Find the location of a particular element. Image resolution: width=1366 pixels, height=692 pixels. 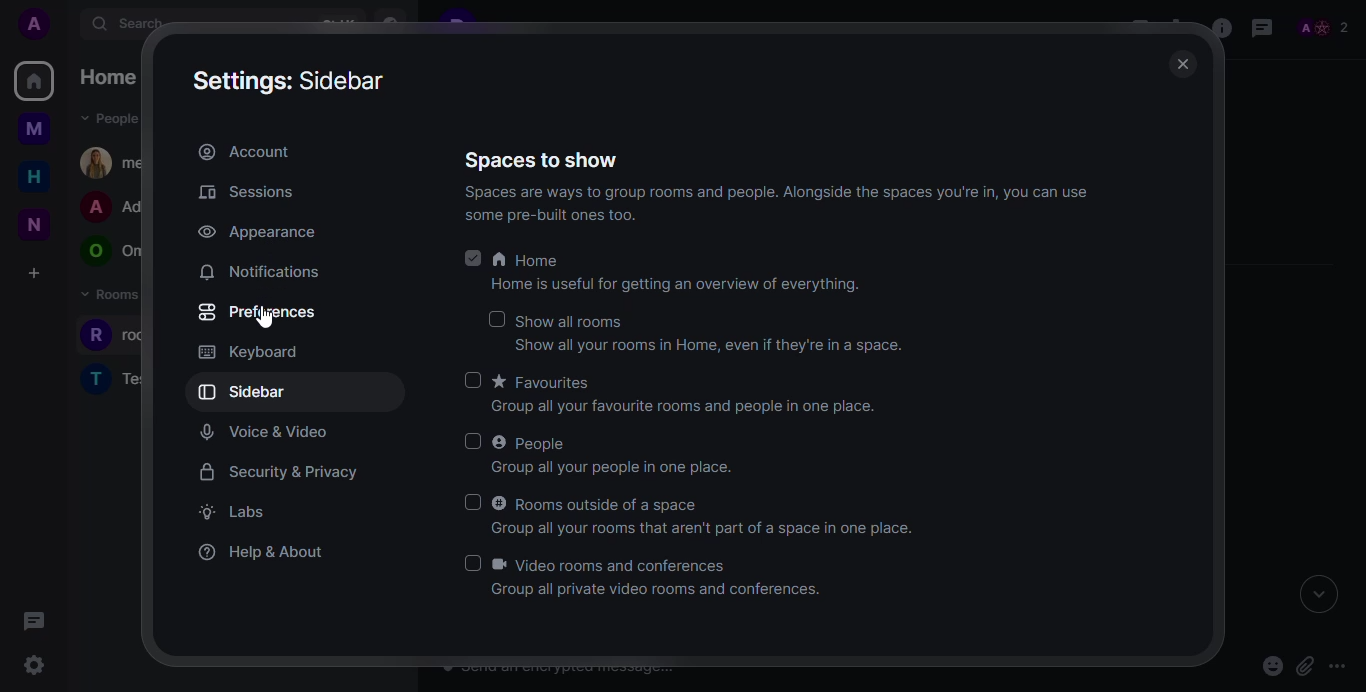

selection box is located at coordinates (495, 320).